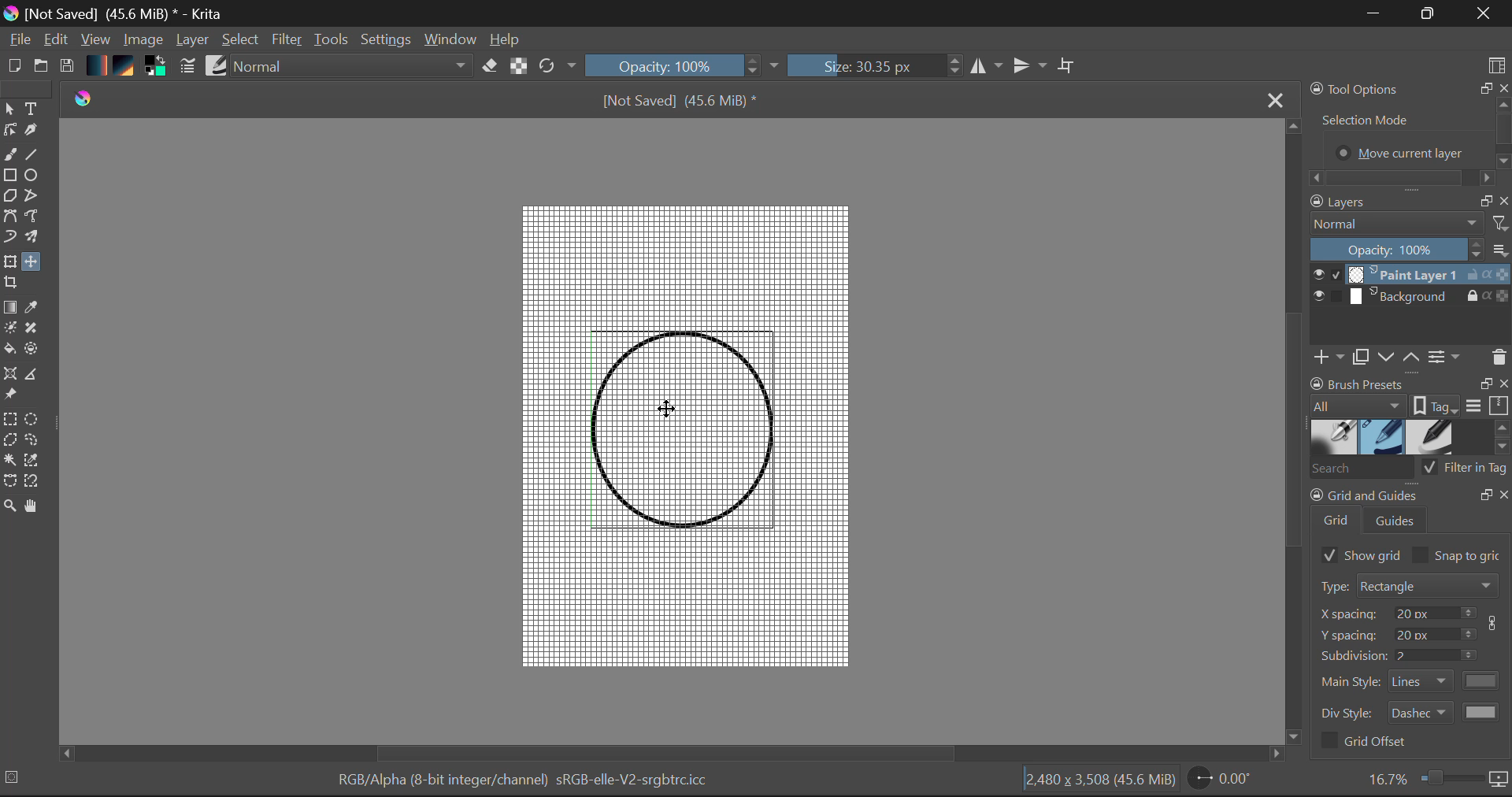  Describe the element at coordinates (1410, 395) in the screenshot. I see `Brush Presets Docket Tab` at that location.